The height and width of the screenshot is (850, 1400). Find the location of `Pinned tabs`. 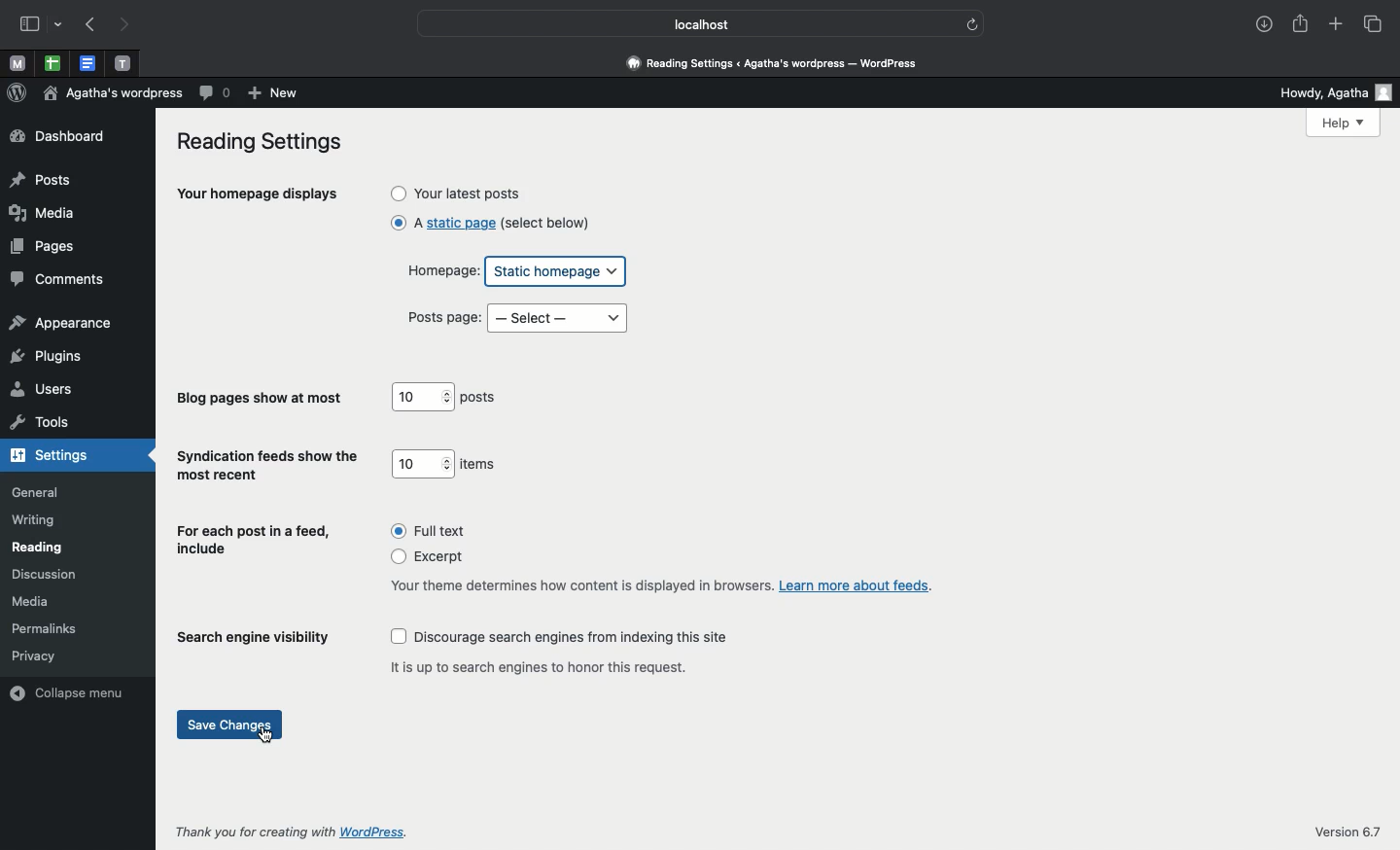

Pinned tabs is located at coordinates (122, 62).